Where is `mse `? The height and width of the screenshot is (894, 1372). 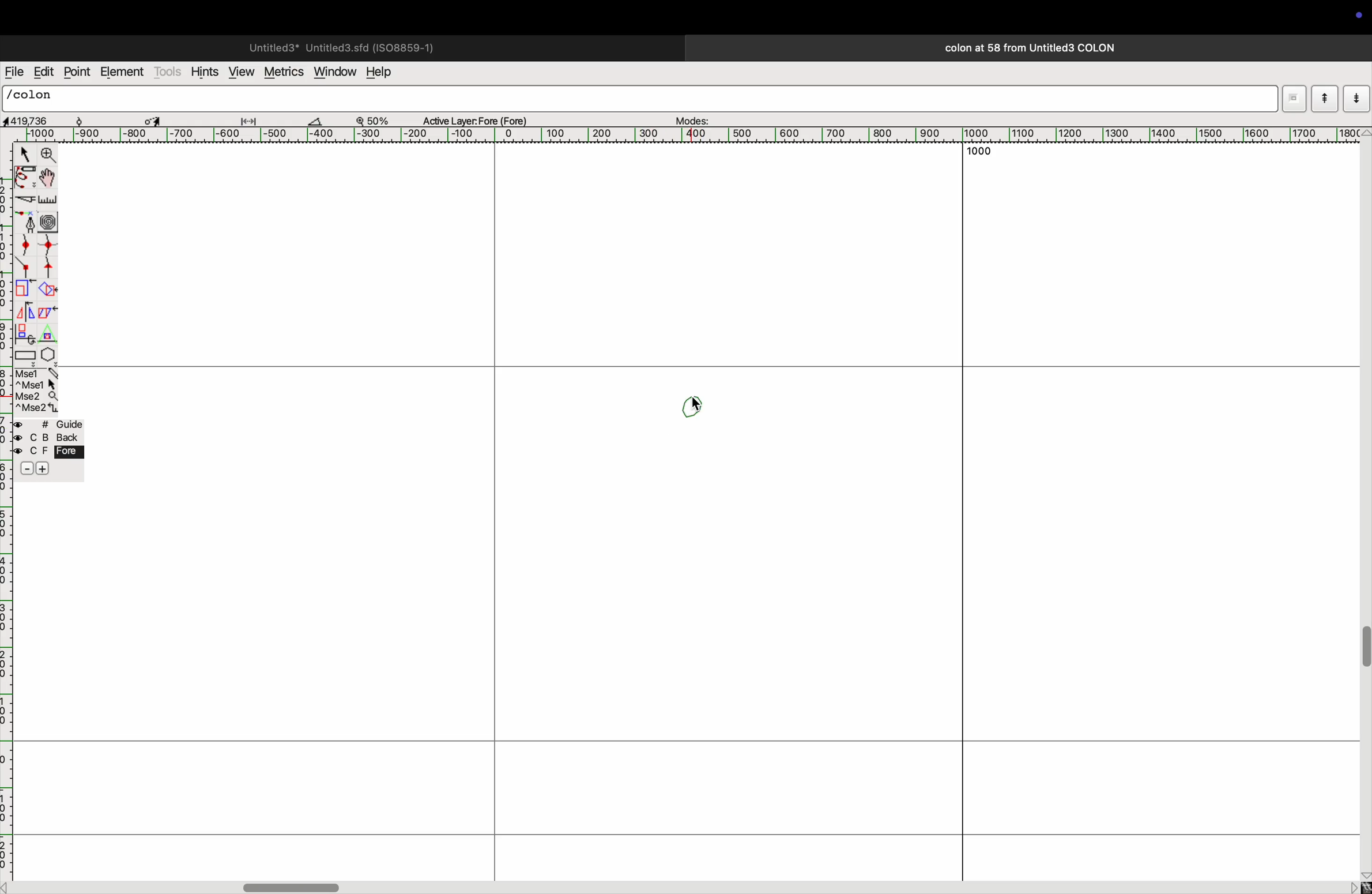 mse  is located at coordinates (35, 390).